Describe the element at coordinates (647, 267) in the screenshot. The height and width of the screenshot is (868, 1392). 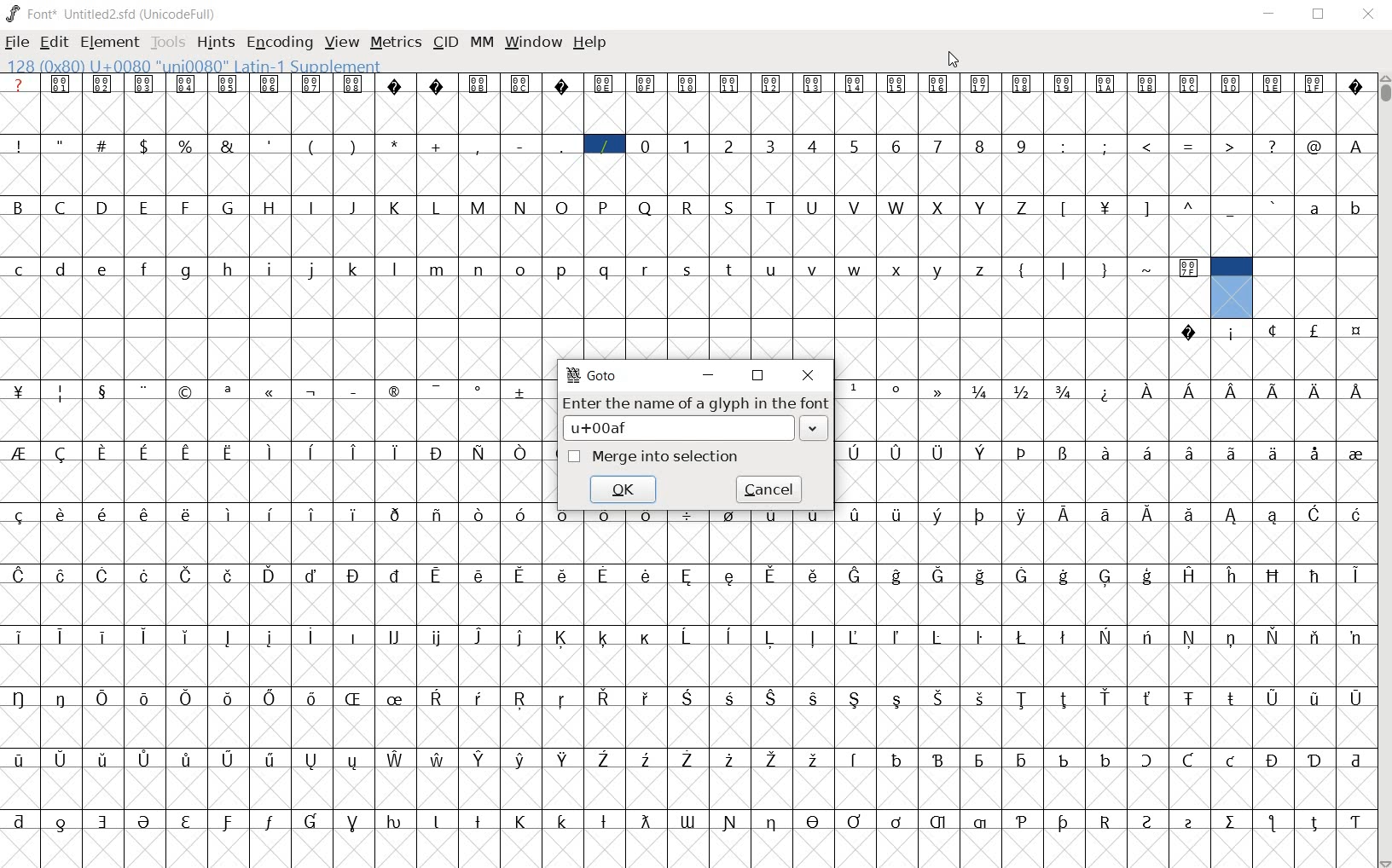
I see `r` at that location.